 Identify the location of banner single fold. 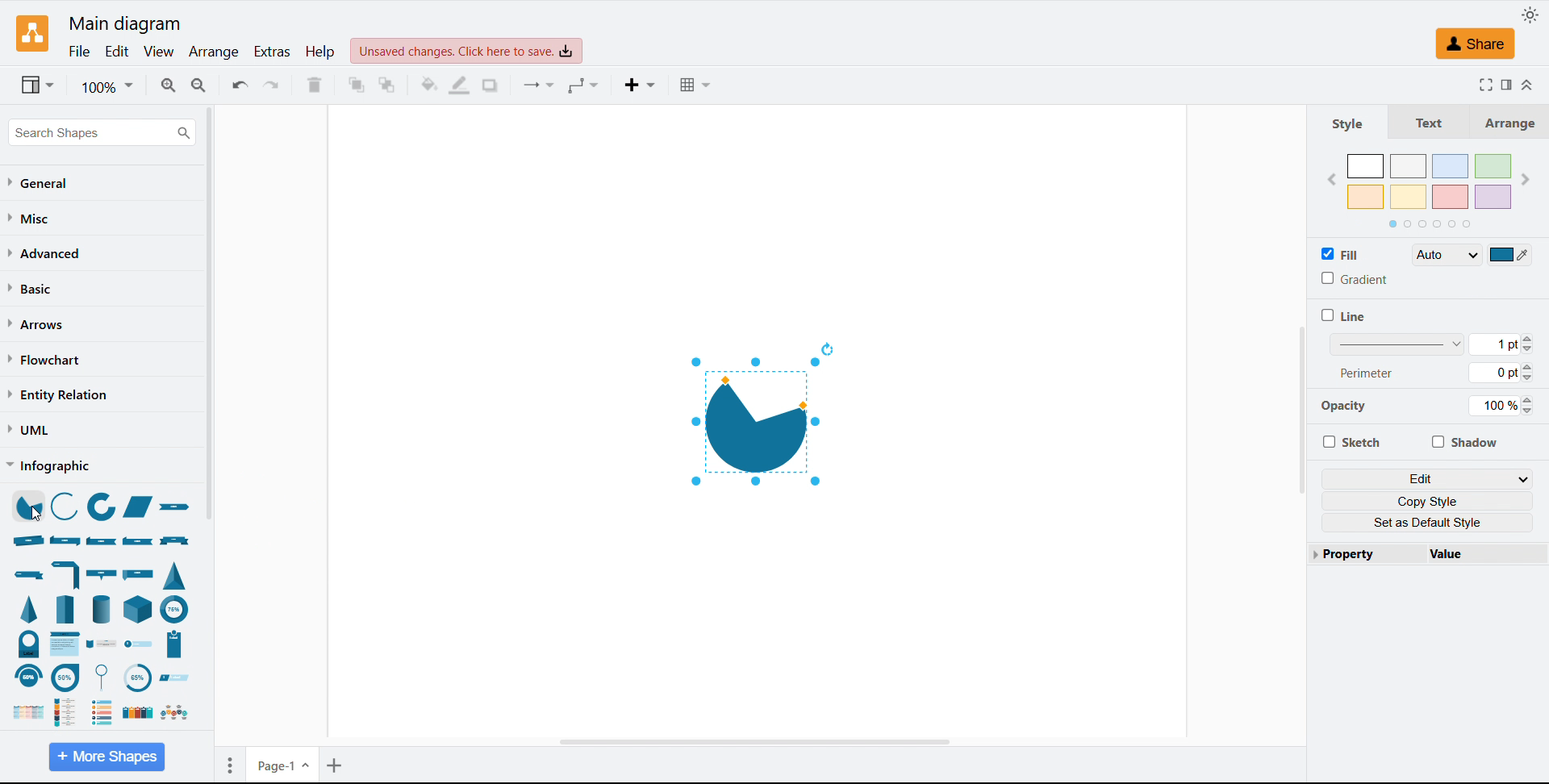
(29, 574).